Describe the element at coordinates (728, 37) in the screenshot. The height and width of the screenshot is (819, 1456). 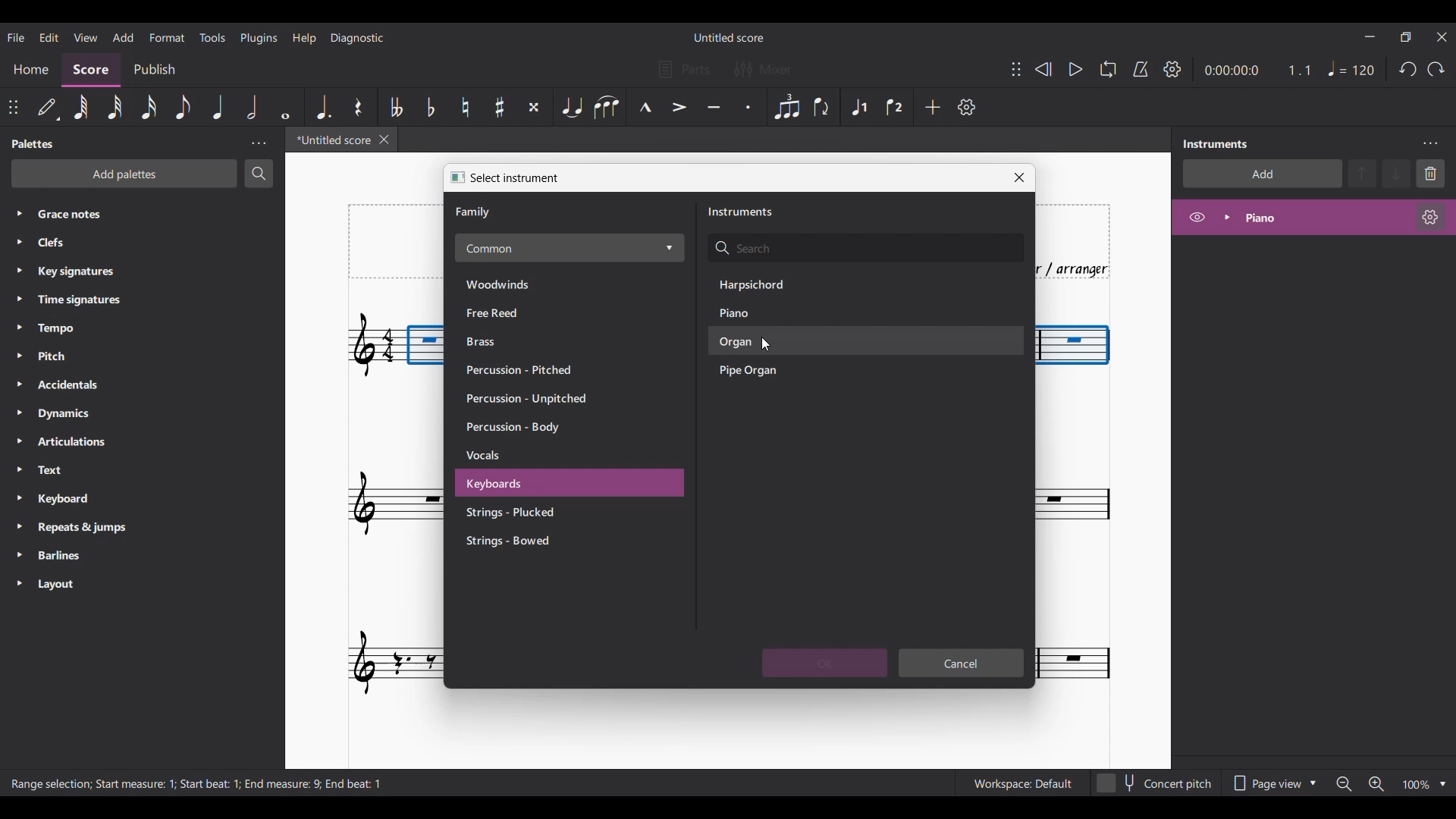
I see `Score name` at that location.